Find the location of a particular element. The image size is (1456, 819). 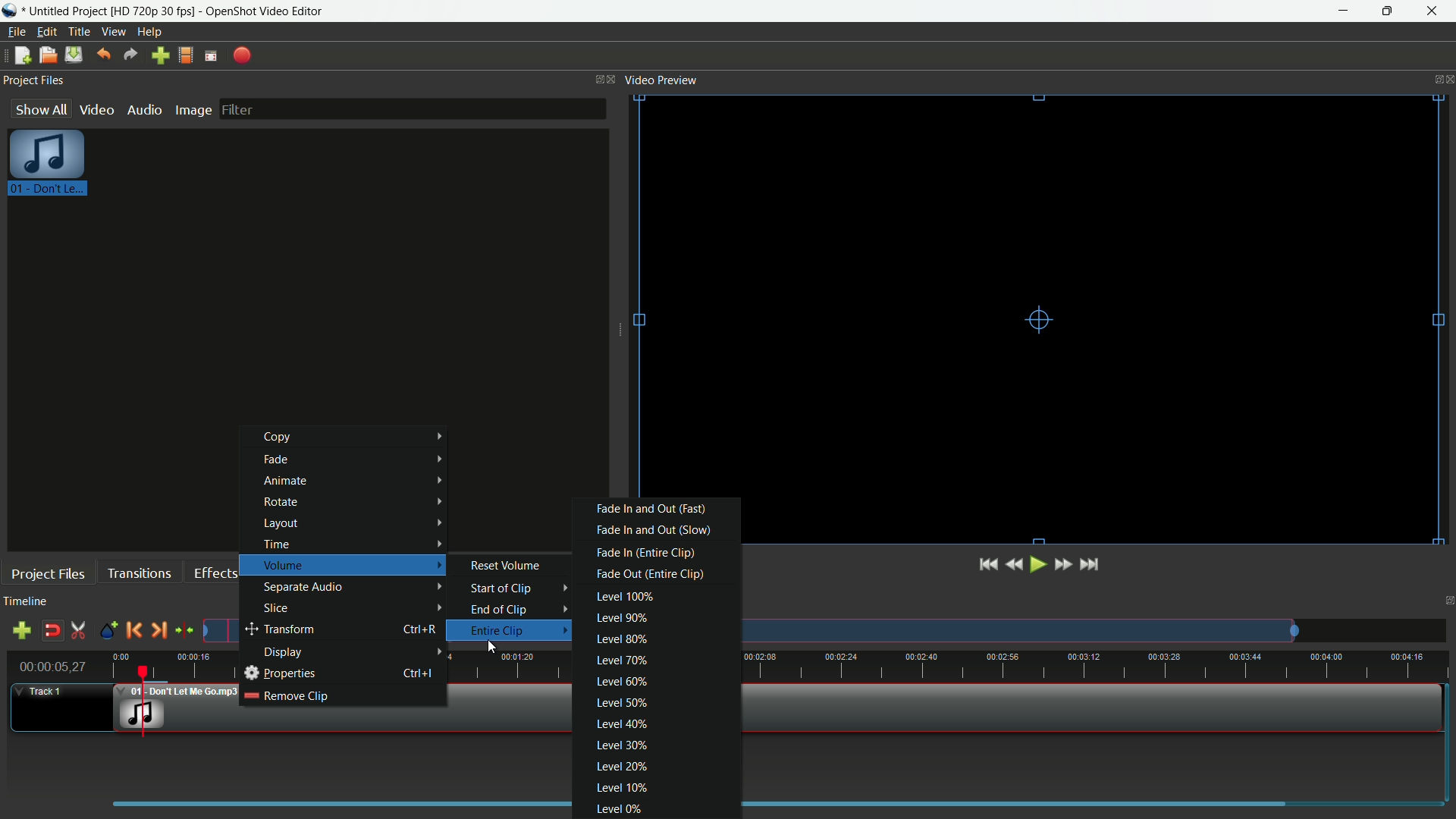

track preview is located at coordinates (1019, 630).